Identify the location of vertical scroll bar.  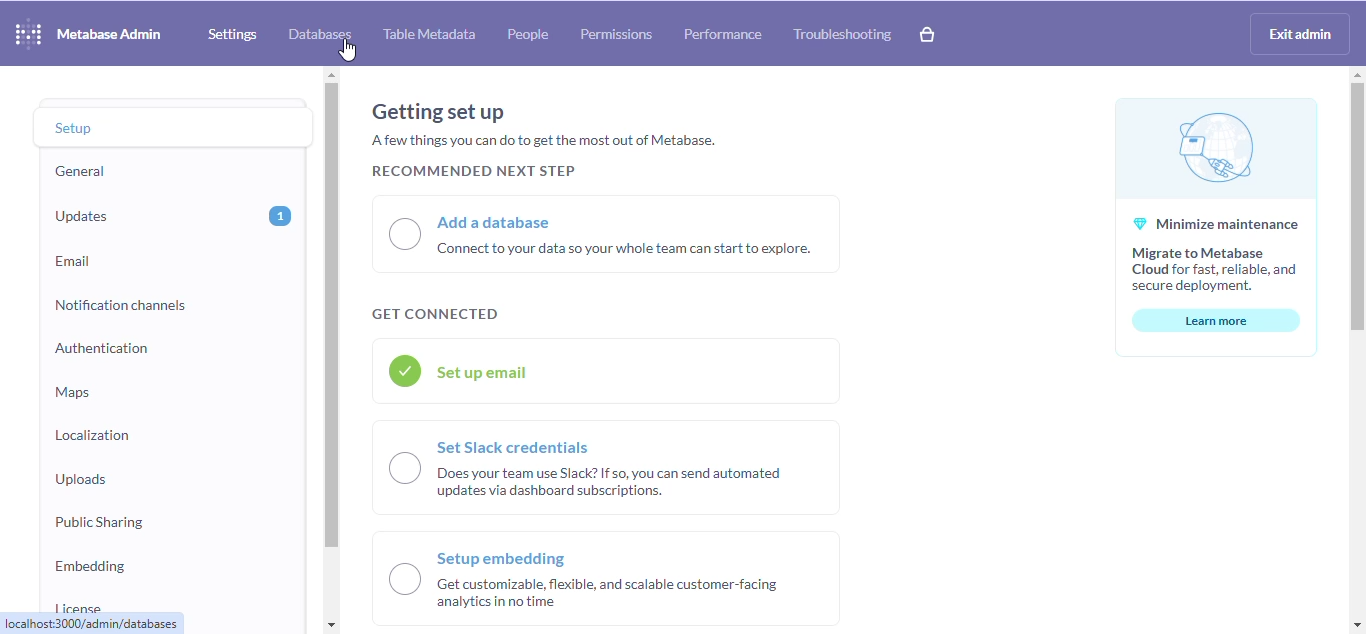
(331, 316).